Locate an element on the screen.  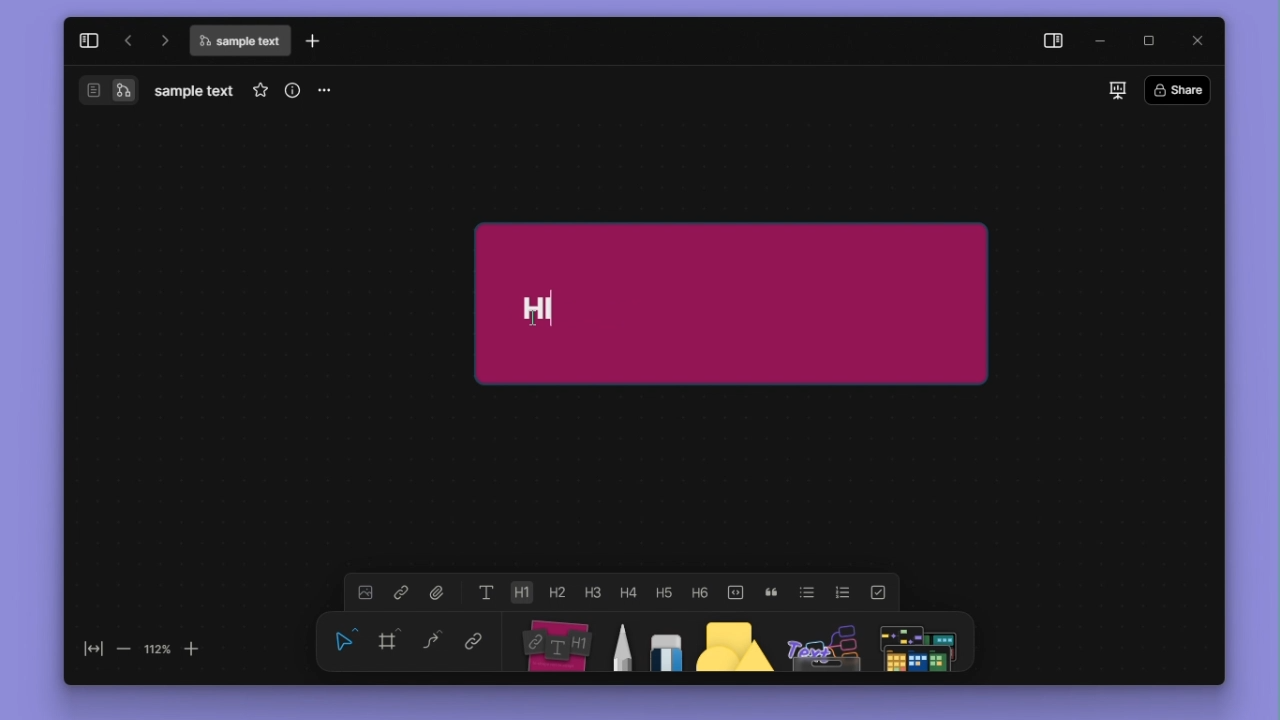
slideshow is located at coordinates (1118, 90).